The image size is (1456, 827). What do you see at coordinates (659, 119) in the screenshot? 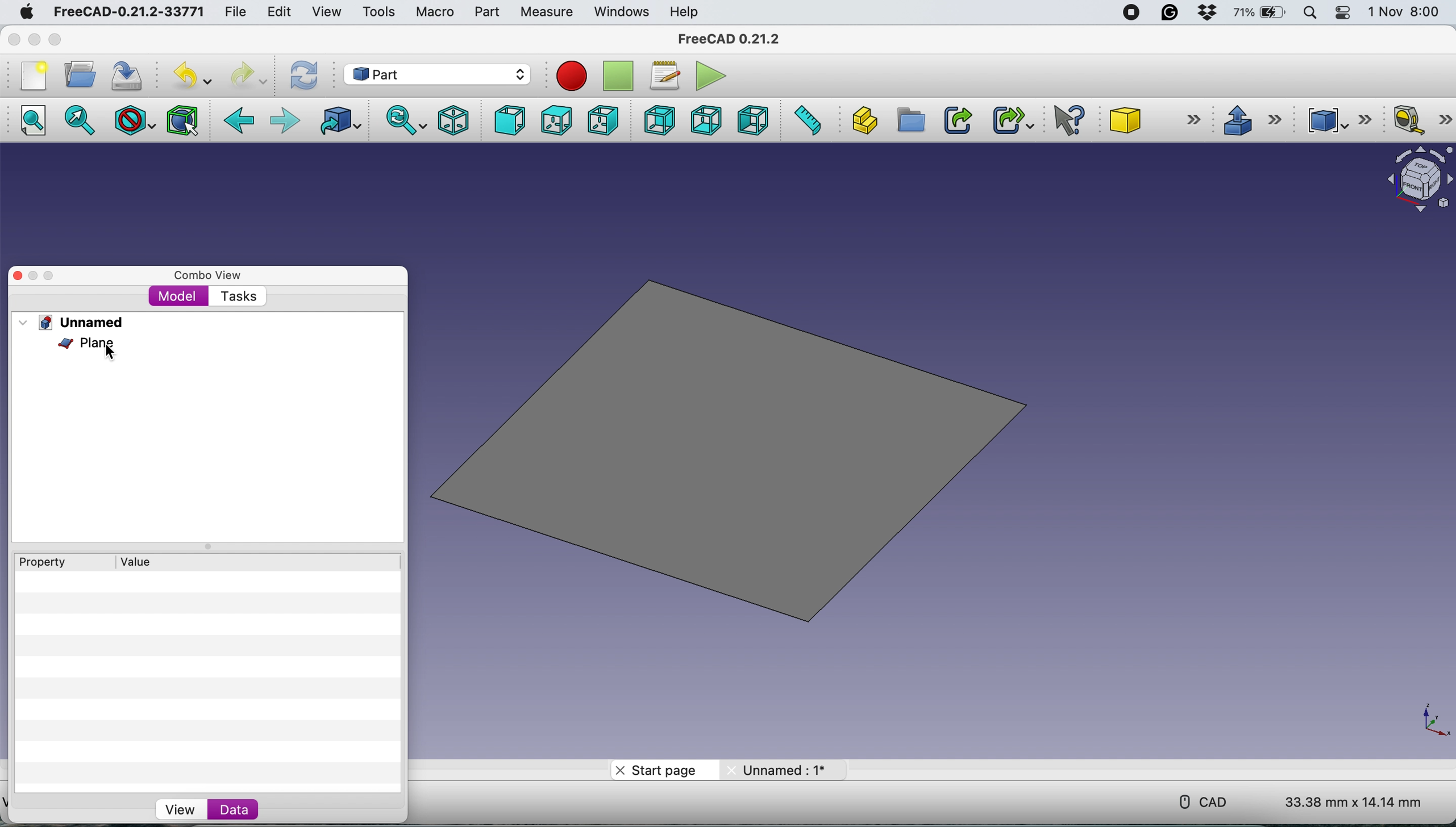
I see `rear` at bounding box center [659, 119].